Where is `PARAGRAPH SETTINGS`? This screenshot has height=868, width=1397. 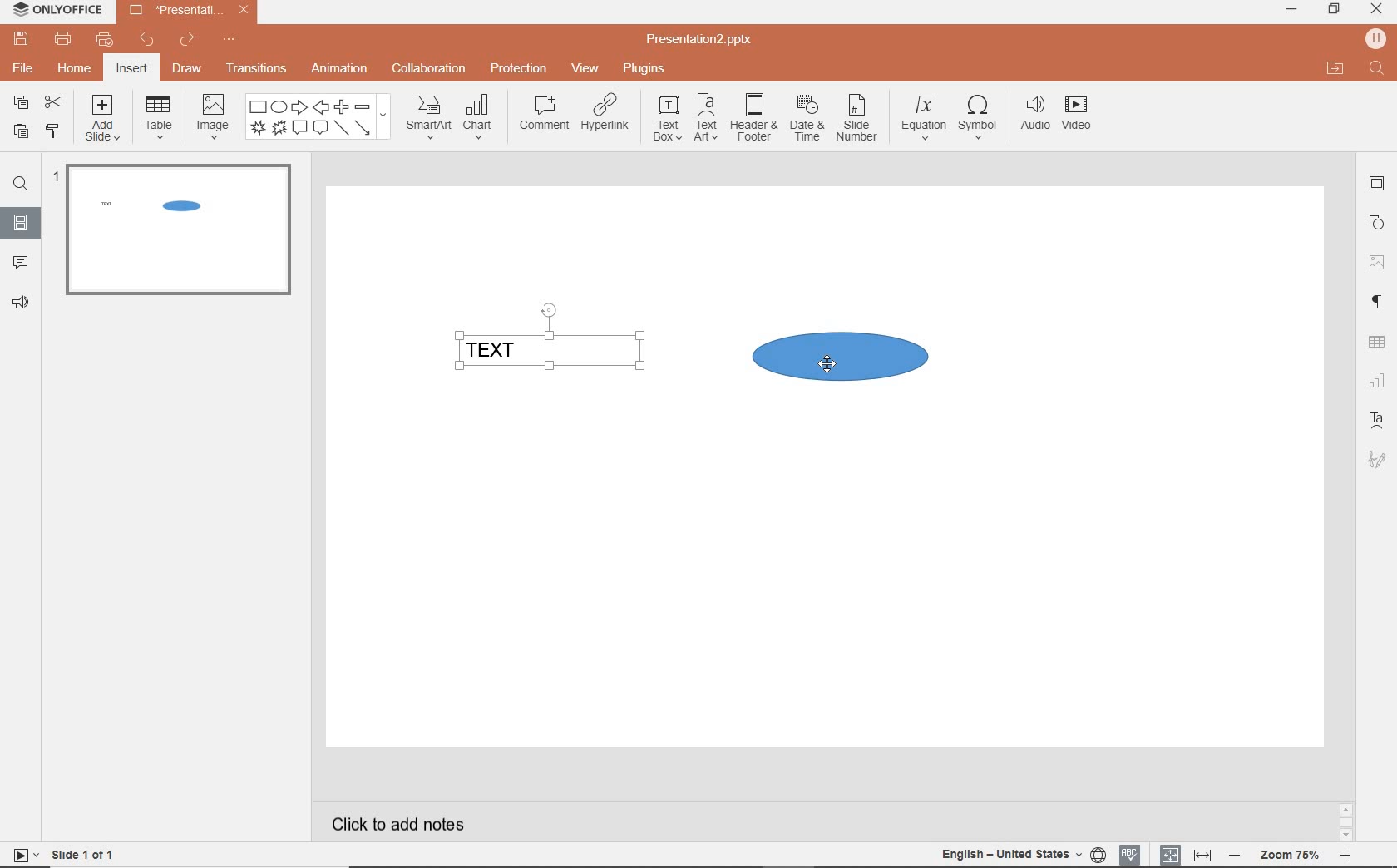
PARAGRAPH SETTINGS is located at coordinates (1378, 303).